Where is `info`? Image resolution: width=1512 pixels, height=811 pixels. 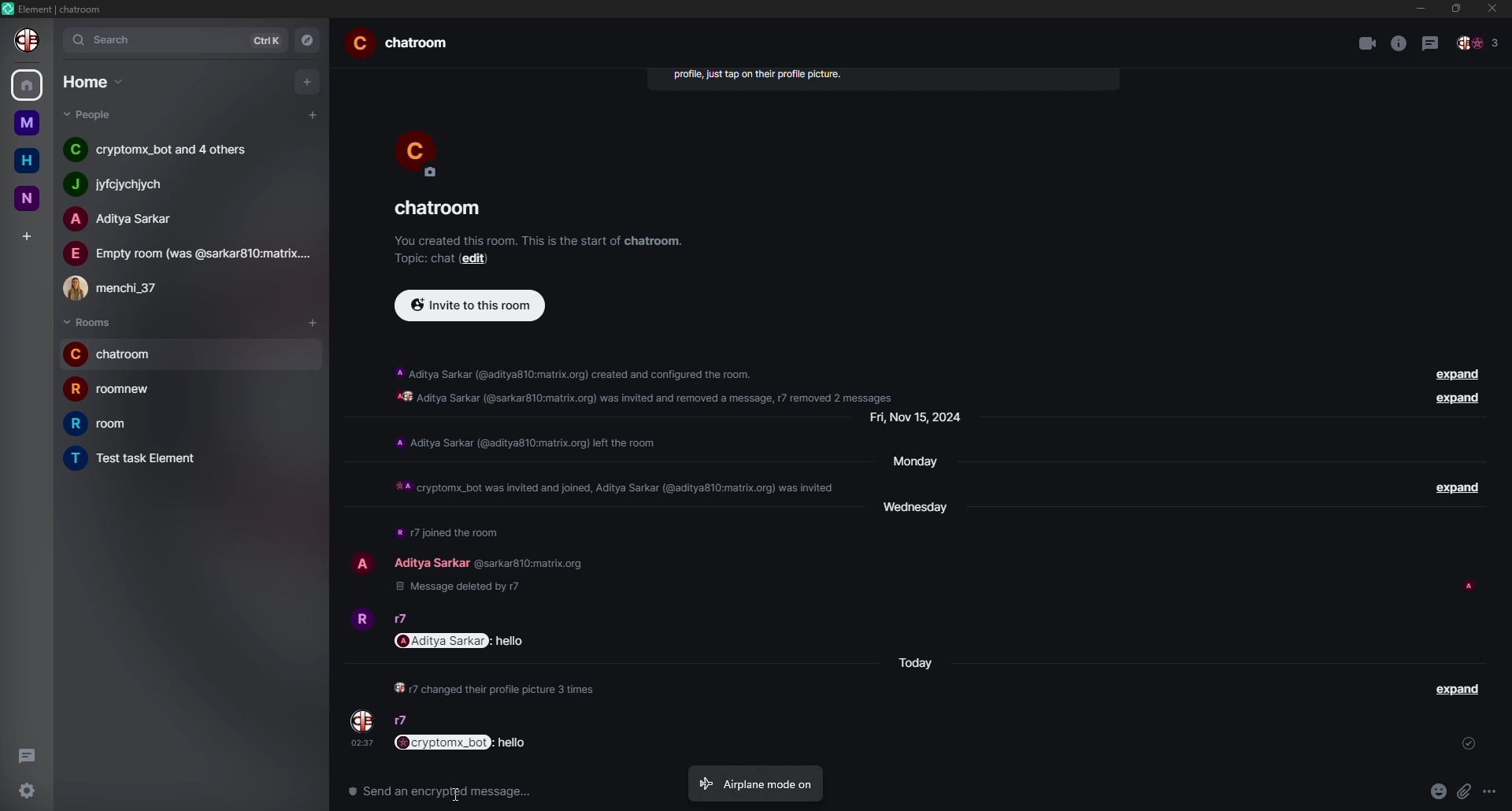 info is located at coordinates (540, 240).